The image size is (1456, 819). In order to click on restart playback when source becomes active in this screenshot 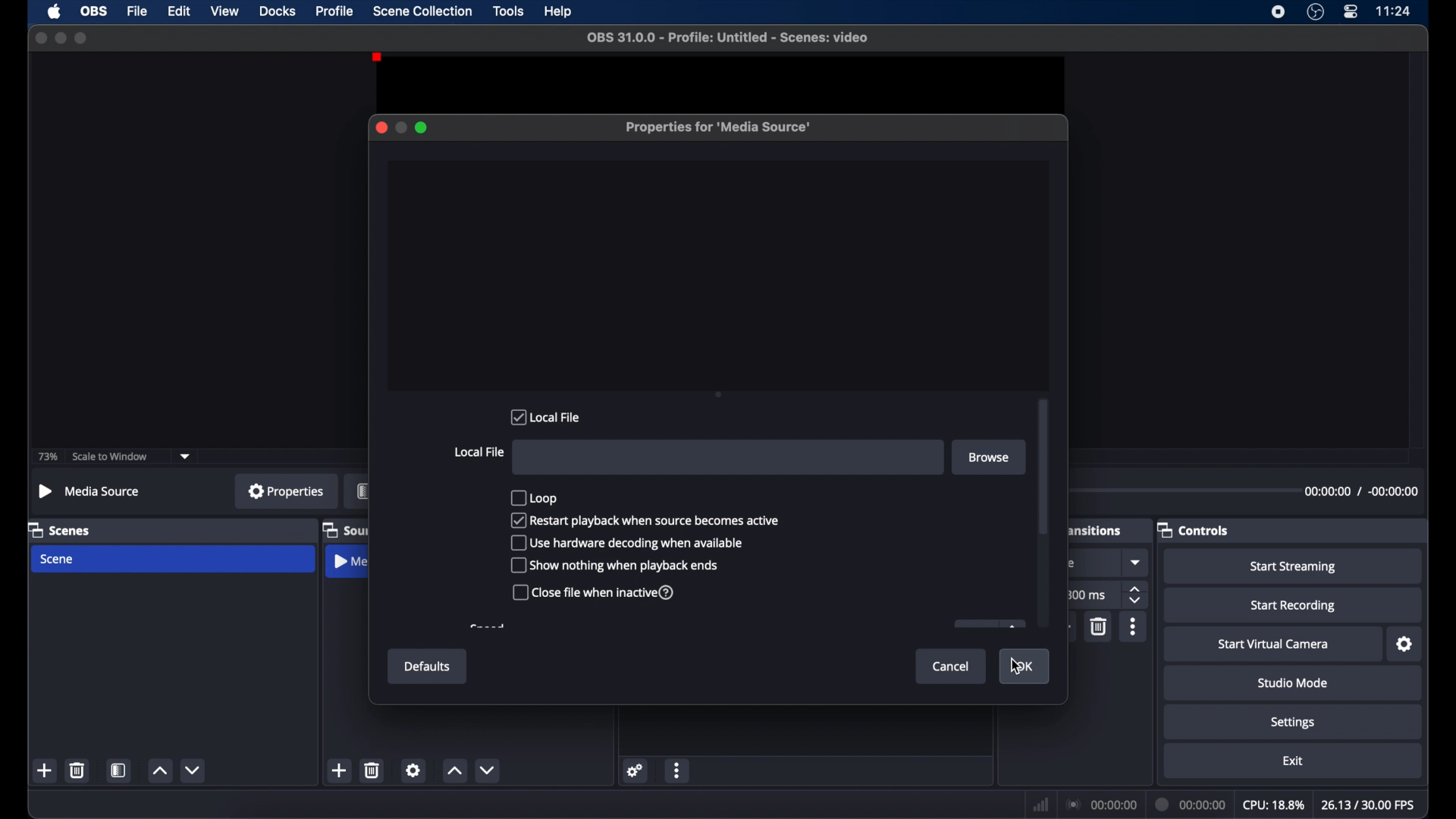, I will do `click(646, 519)`.